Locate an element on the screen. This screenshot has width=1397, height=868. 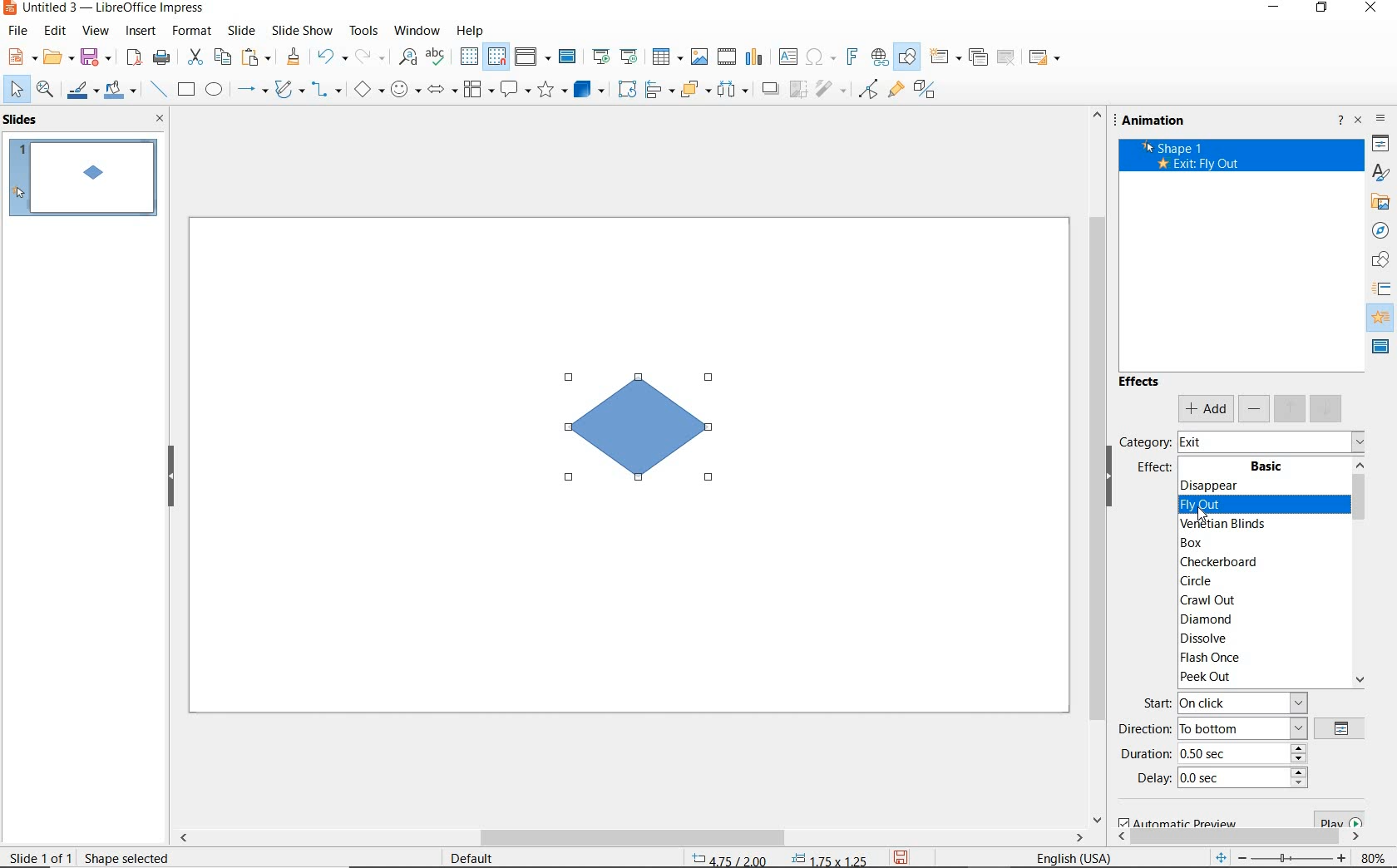
connectors is located at coordinates (327, 89).